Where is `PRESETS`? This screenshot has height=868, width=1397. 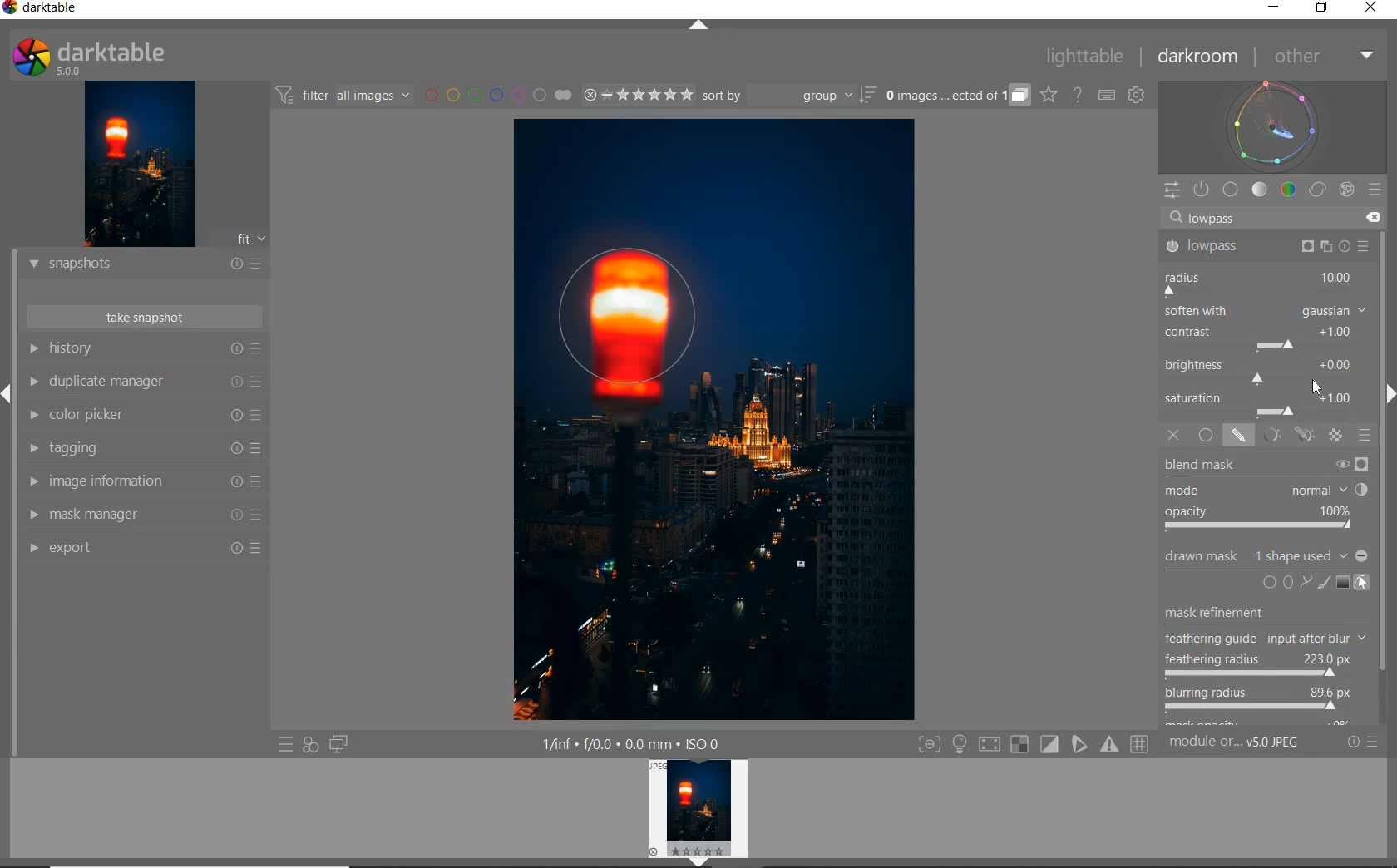 PRESETS is located at coordinates (1376, 191).